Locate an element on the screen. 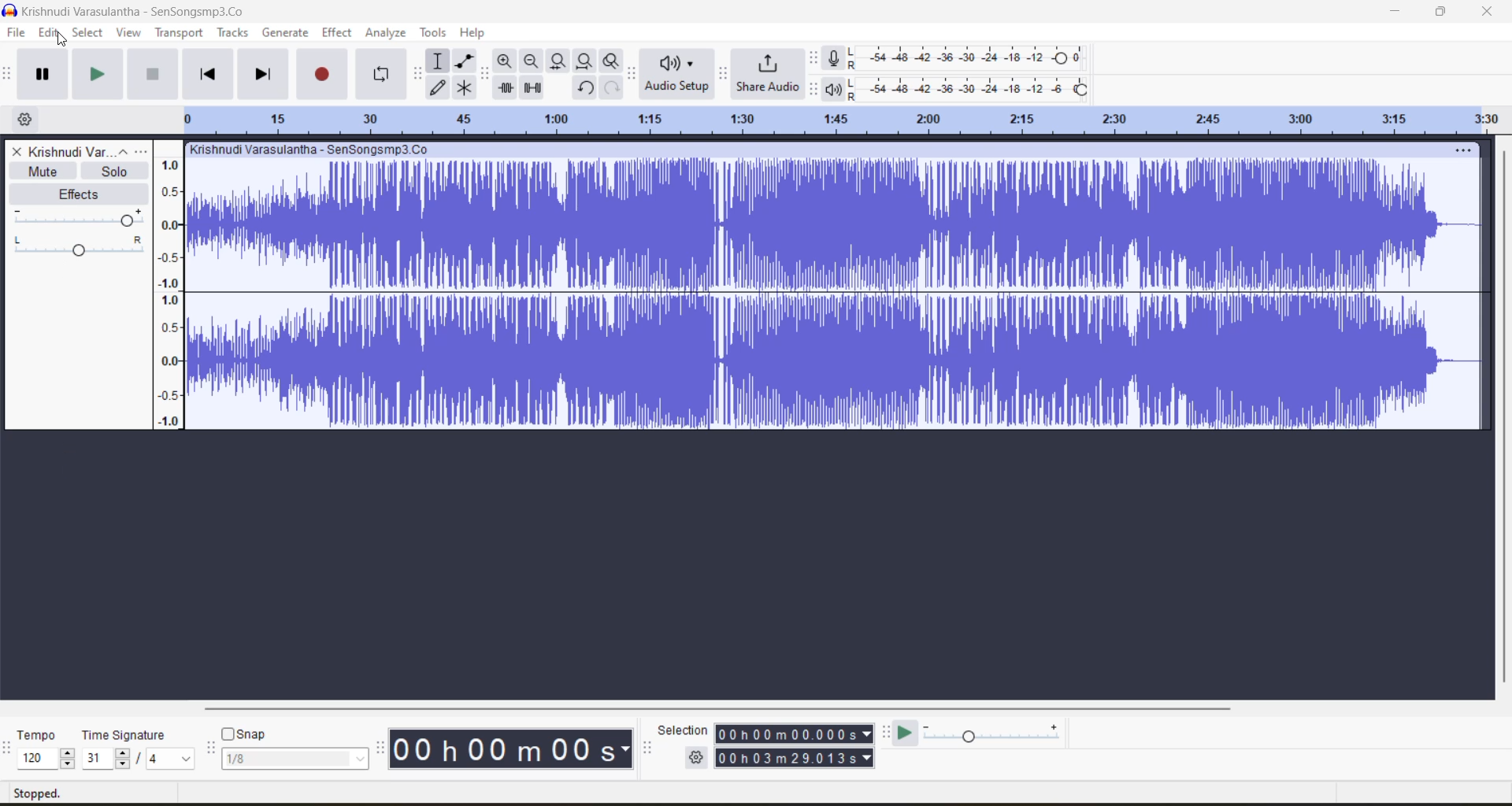 The image size is (1512, 806). select edit is located at coordinates (51, 35).